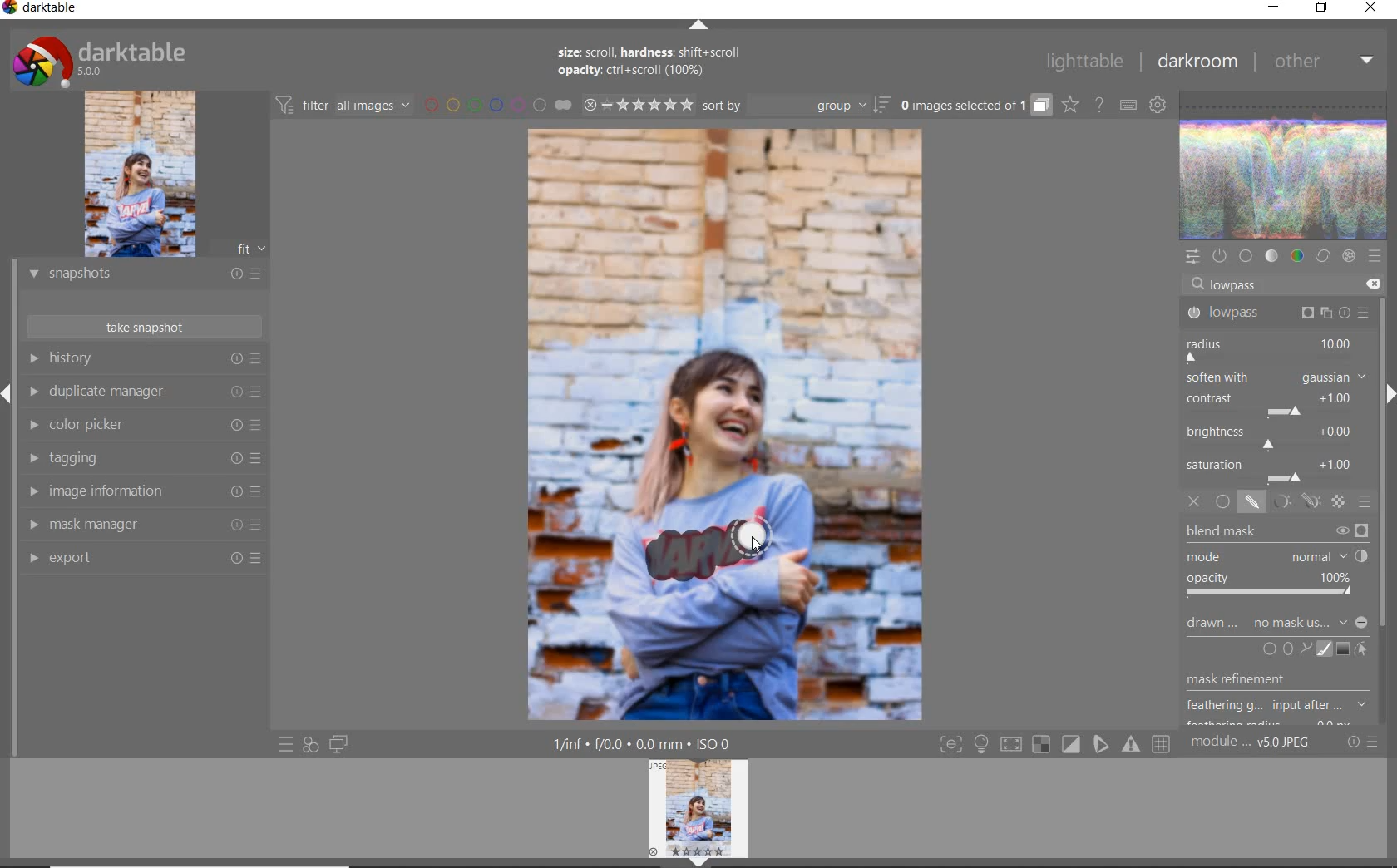  What do you see at coordinates (1194, 254) in the screenshot?
I see `quick access panel` at bounding box center [1194, 254].